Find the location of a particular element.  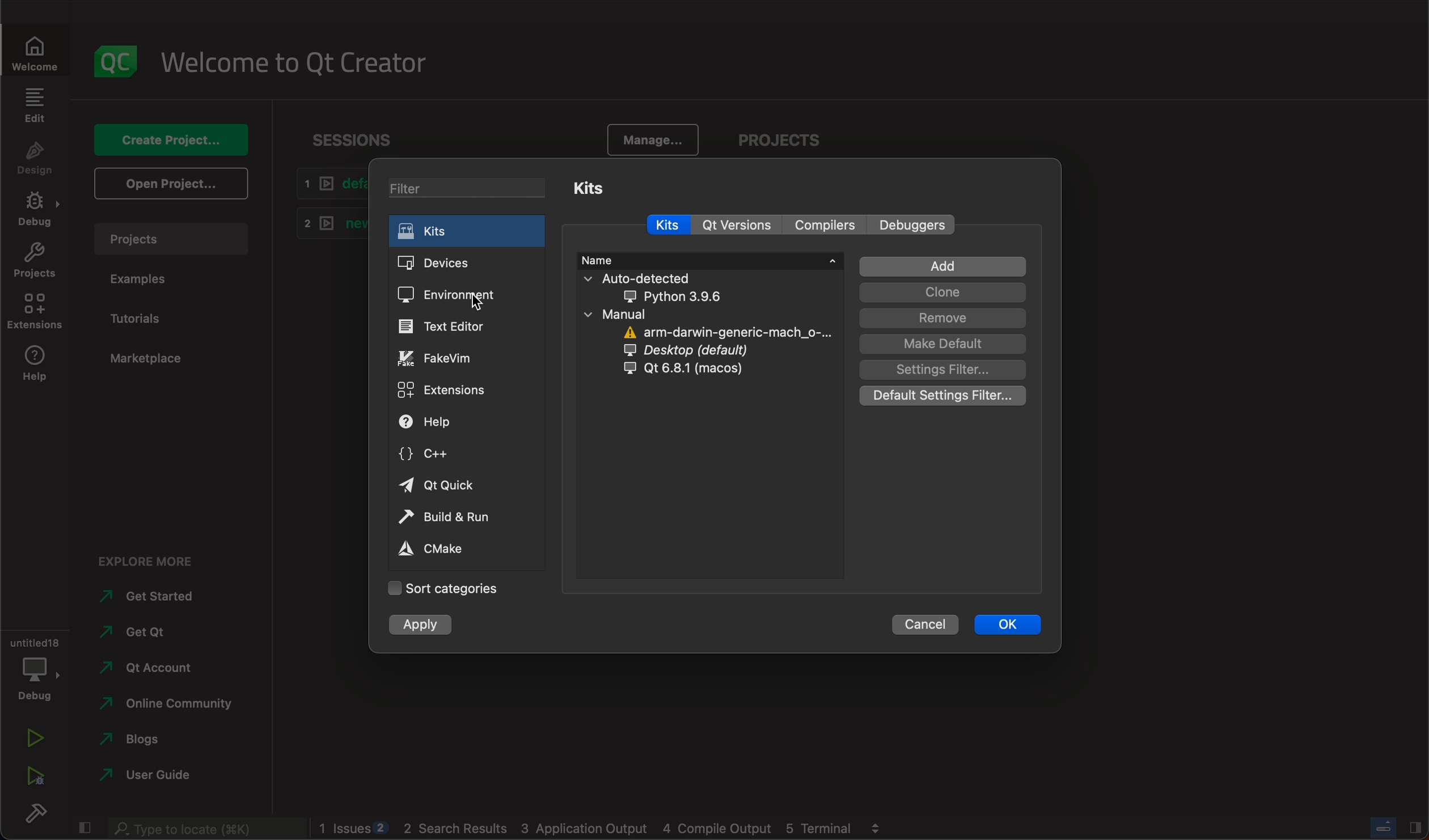

desktop is located at coordinates (718, 351).